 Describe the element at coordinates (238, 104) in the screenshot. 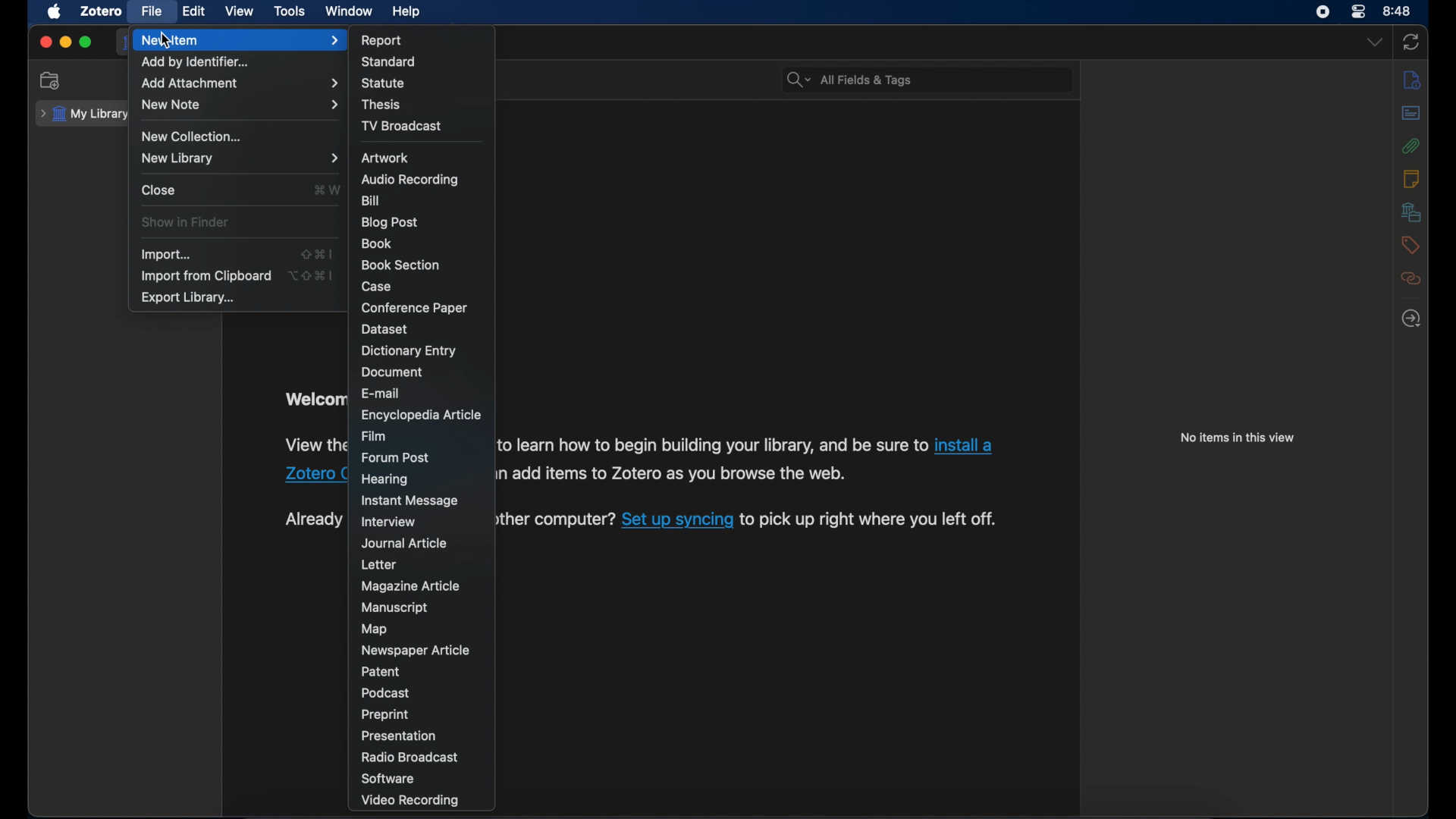

I see `new note` at that location.